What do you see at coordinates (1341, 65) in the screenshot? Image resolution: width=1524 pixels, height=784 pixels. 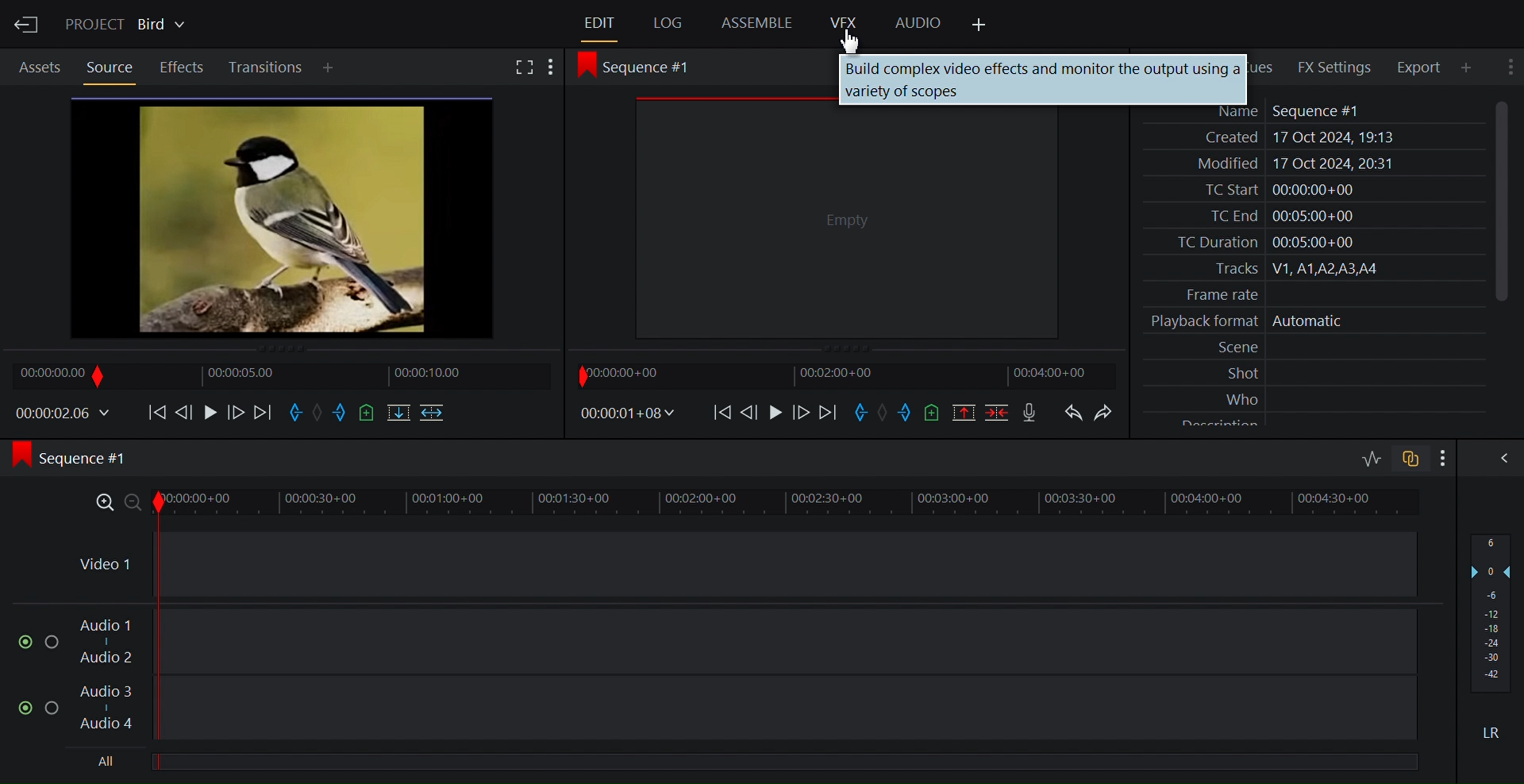 I see `FX Settings` at bounding box center [1341, 65].